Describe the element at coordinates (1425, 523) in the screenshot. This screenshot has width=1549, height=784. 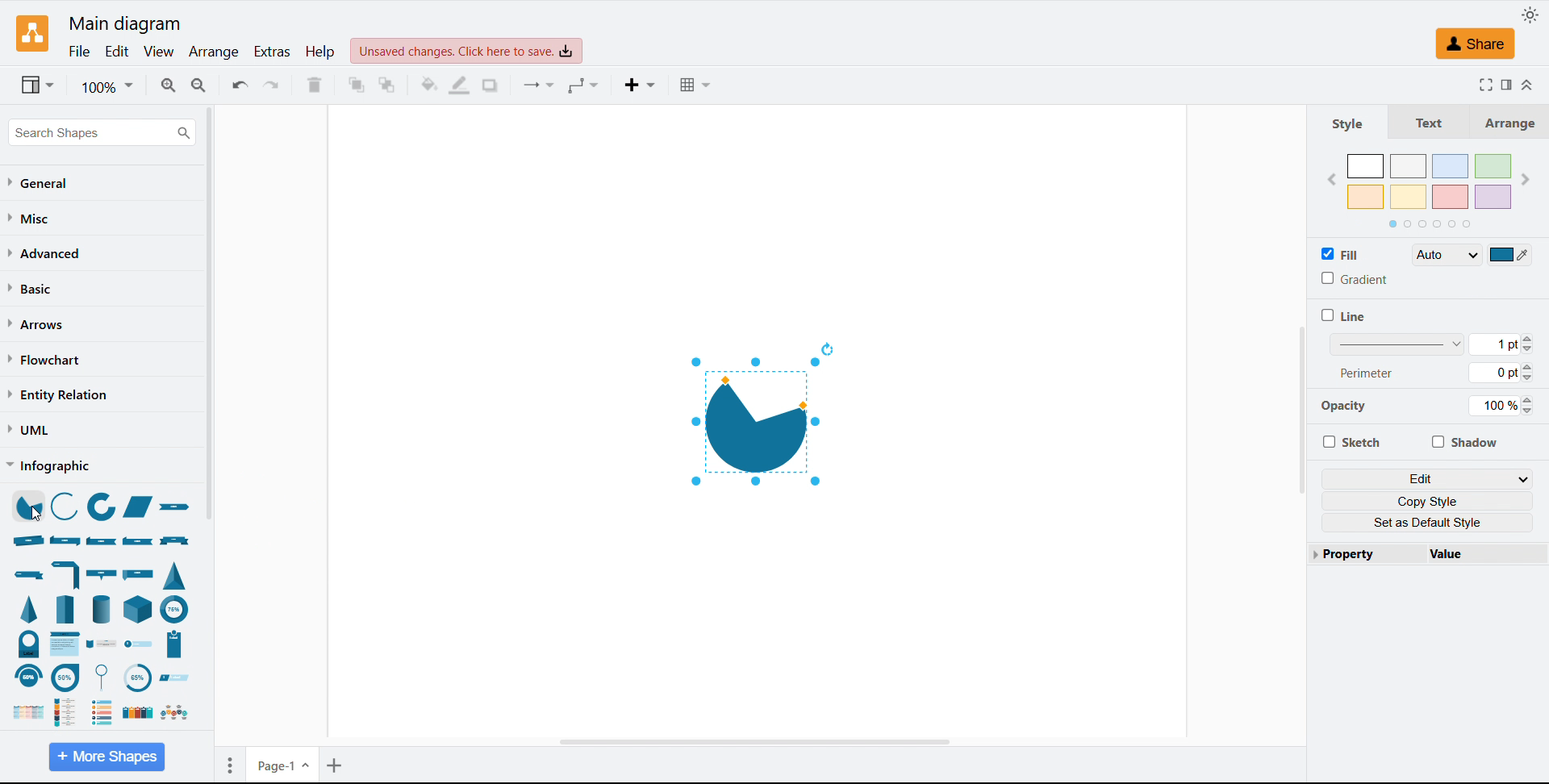
I see `Set as default style ` at that location.